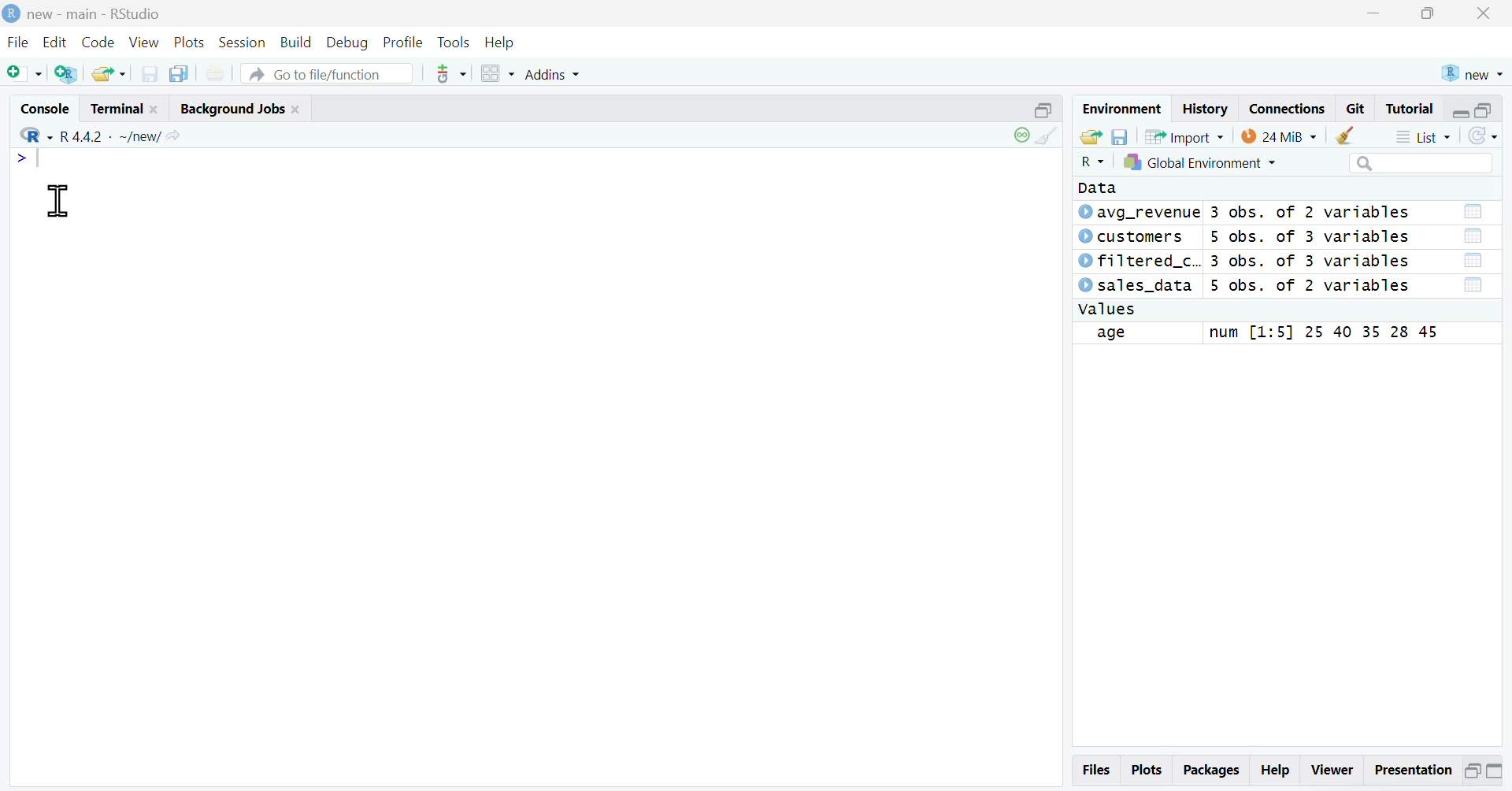 This screenshot has width=1512, height=791. I want to click on maximize pane, so click(1485, 111).